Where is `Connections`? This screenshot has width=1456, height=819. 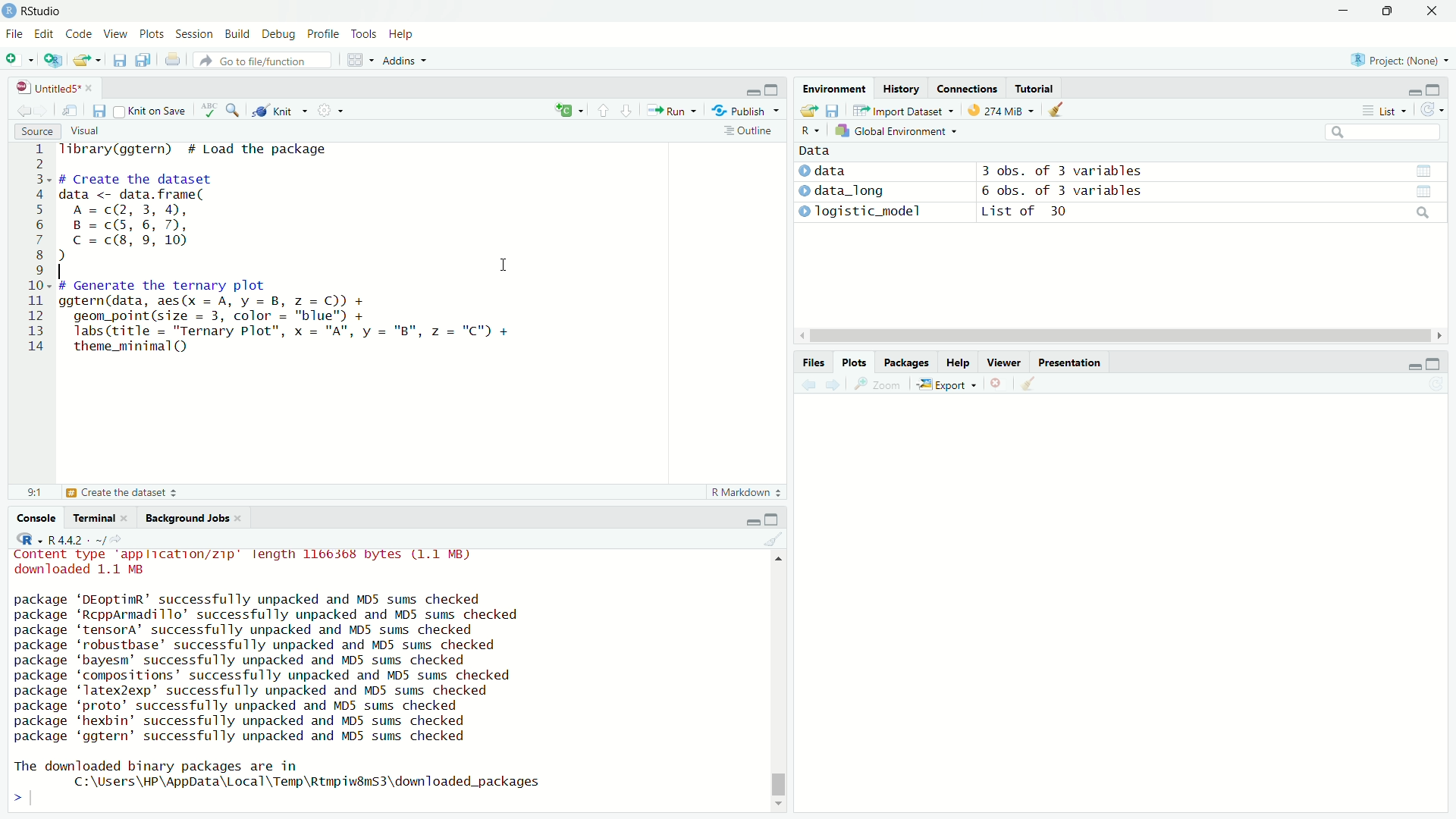 Connections is located at coordinates (967, 88).